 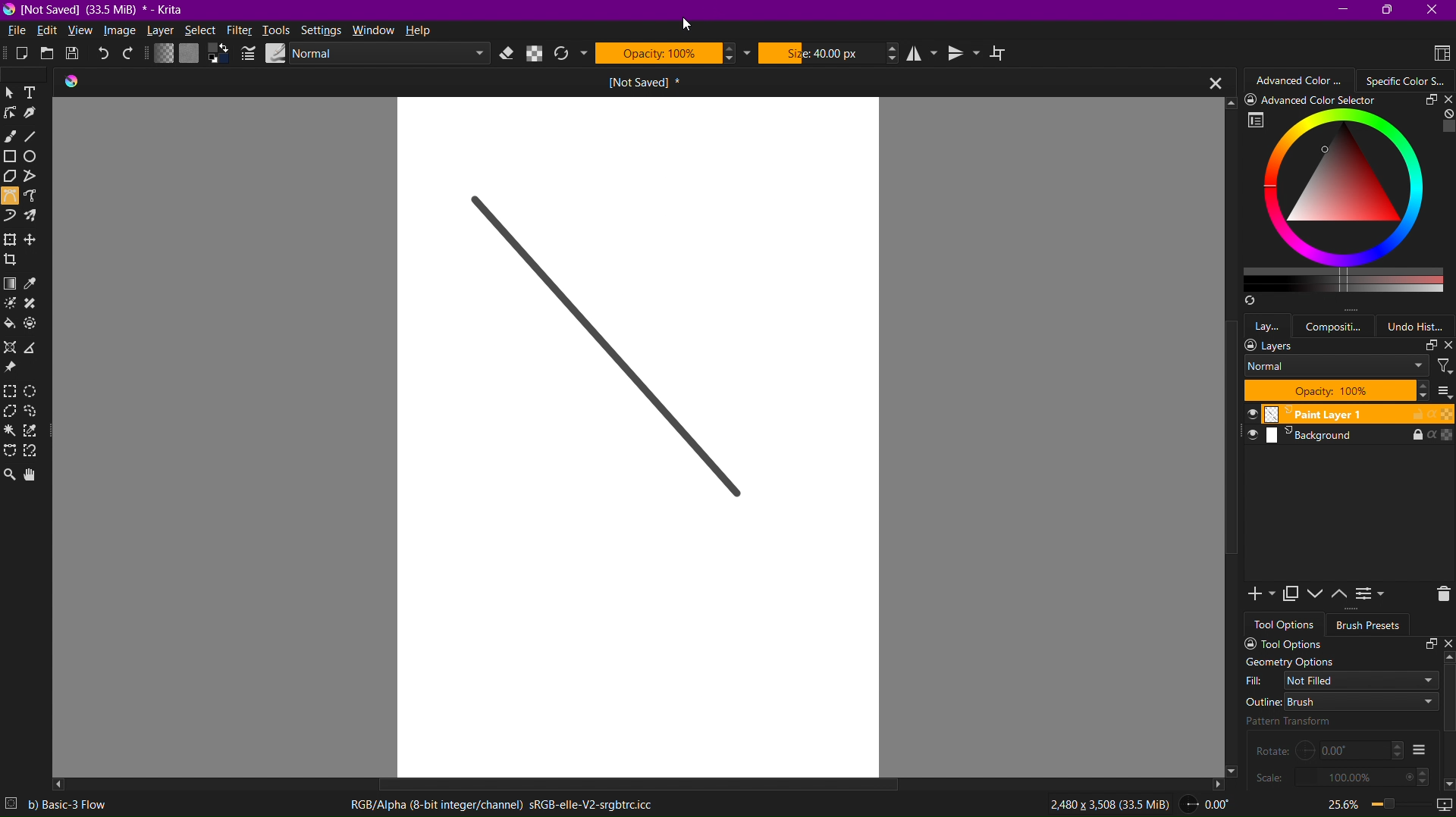 What do you see at coordinates (1336, 367) in the screenshot?
I see `Layer Mode` at bounding box center [1336, 367].